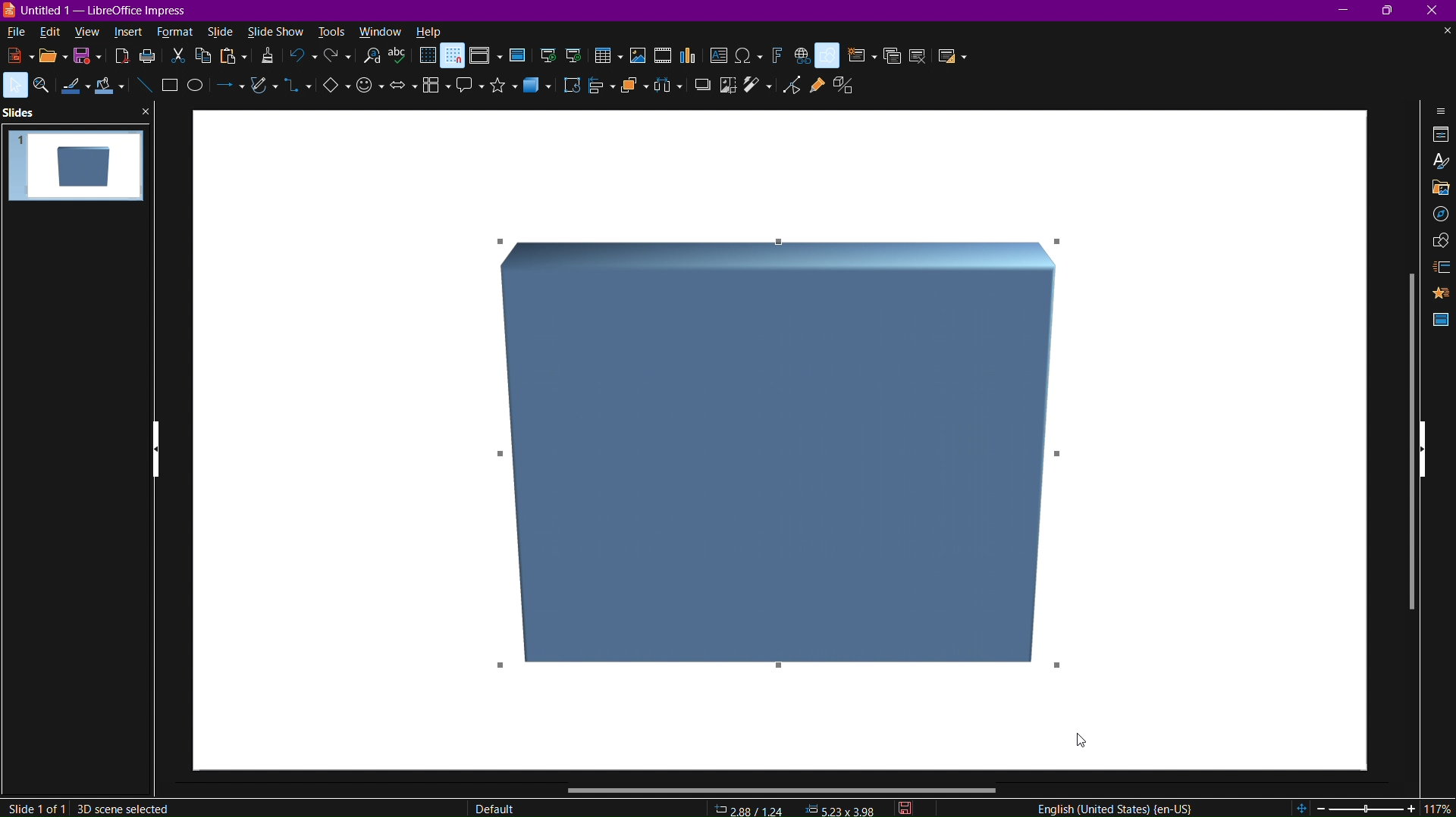 The width and height of the screenshot is (1456, 817). Describe the element at coordinates (275, 31) in the screenshot. I see `slideshow` at that location.